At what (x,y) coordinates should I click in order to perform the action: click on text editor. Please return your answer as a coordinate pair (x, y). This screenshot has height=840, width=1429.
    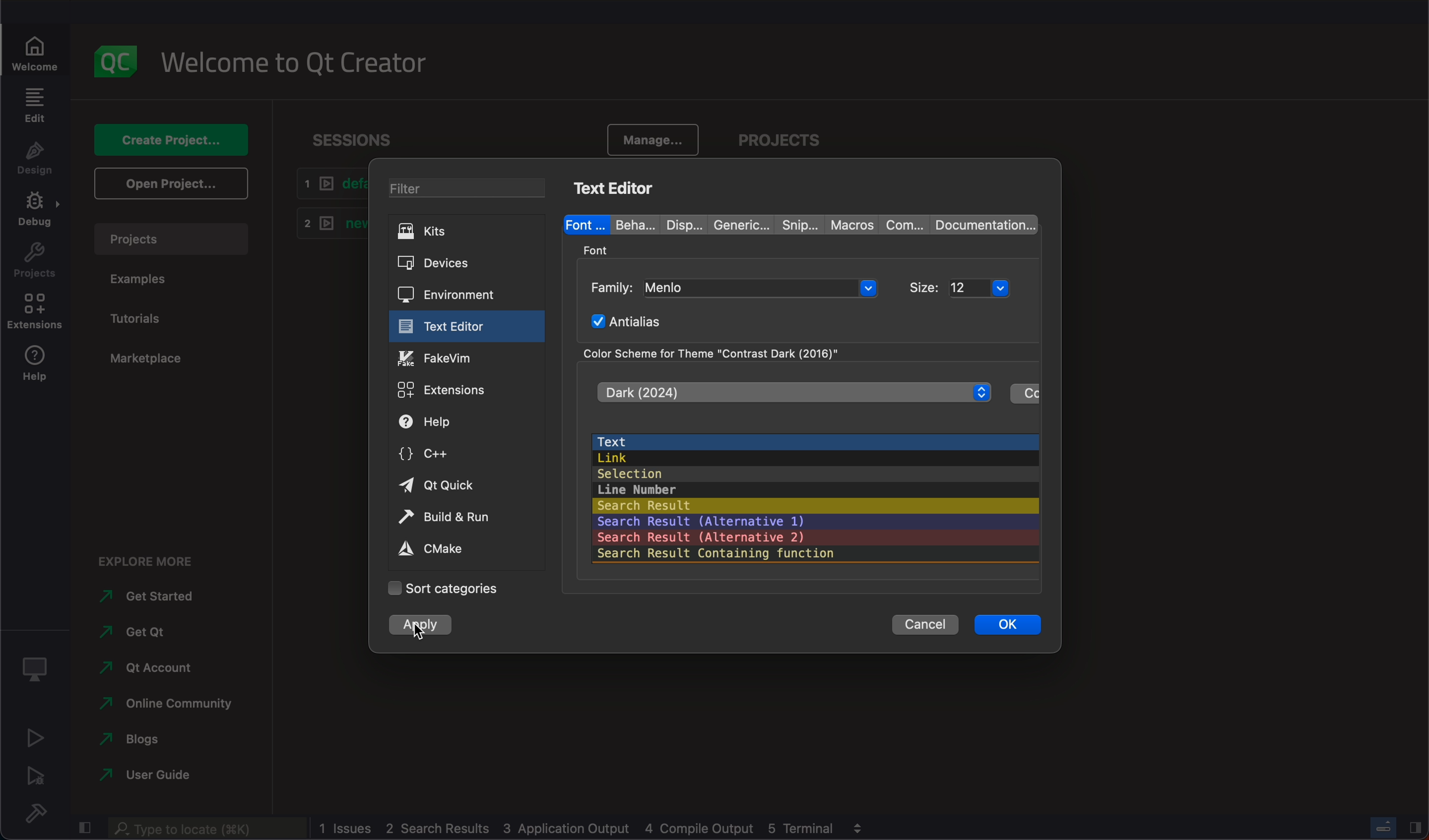
    Looking at the image, I should click on (614, 189).